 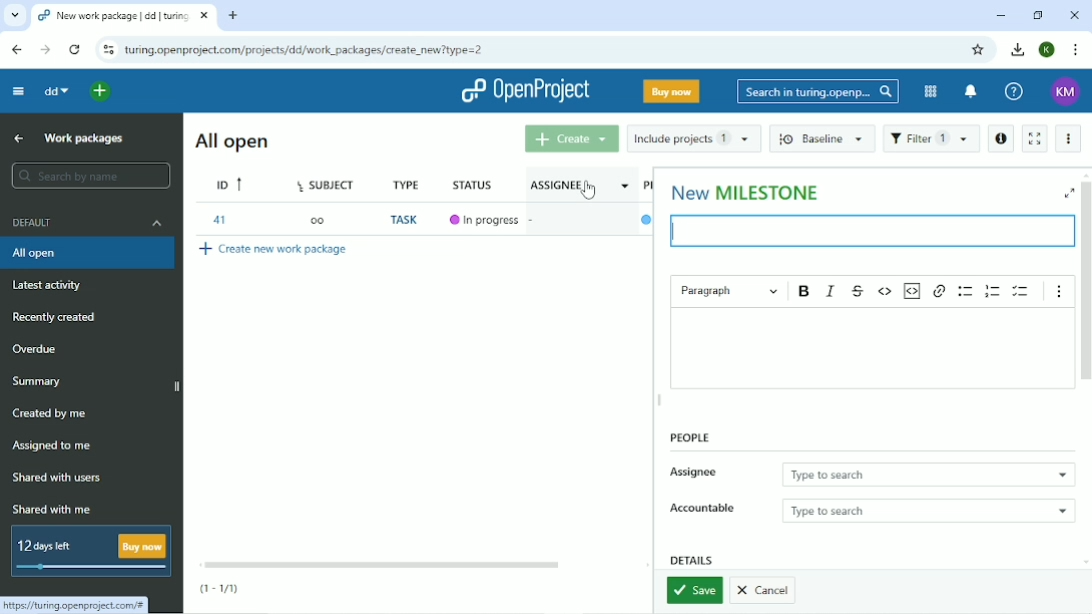 I want to click on Numbered list, so click(x=993, y=291).